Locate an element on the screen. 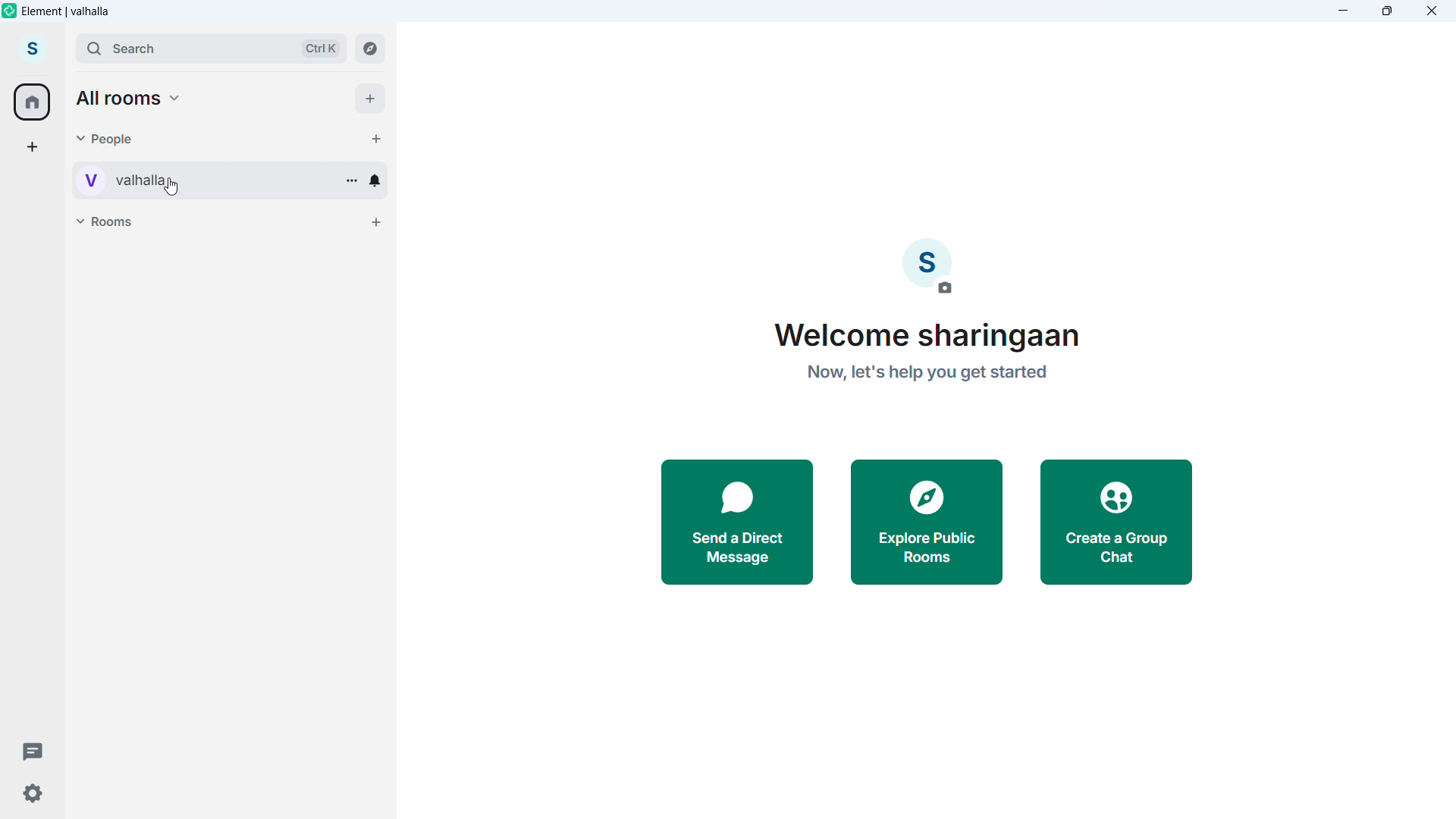 Image resolution: width=1456 pixels, height=819 pixels. Start chat  is located at coordinates (374, 138).